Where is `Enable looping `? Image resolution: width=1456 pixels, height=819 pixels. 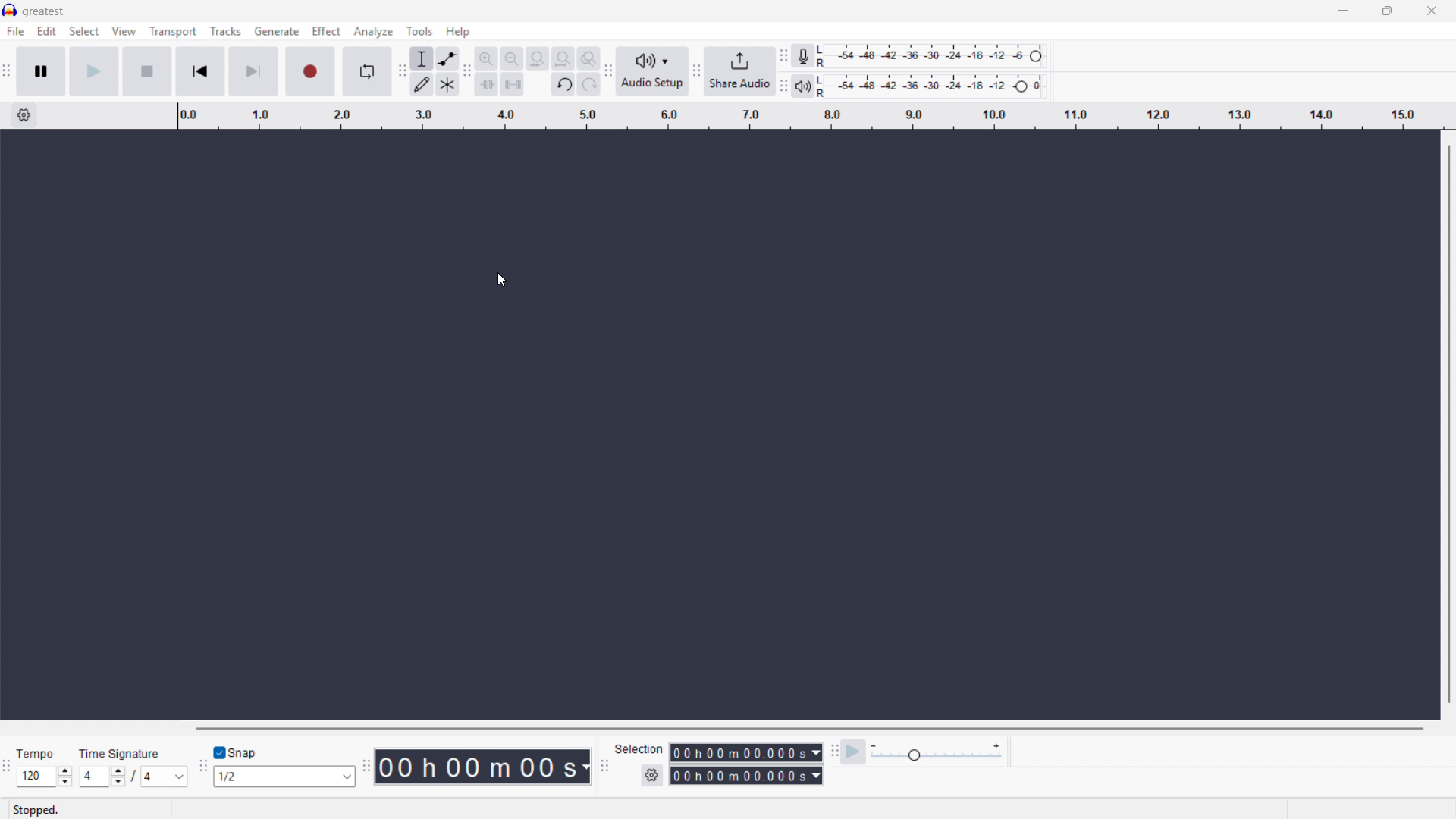 Enable looping  is located at coordinates (368, 71).